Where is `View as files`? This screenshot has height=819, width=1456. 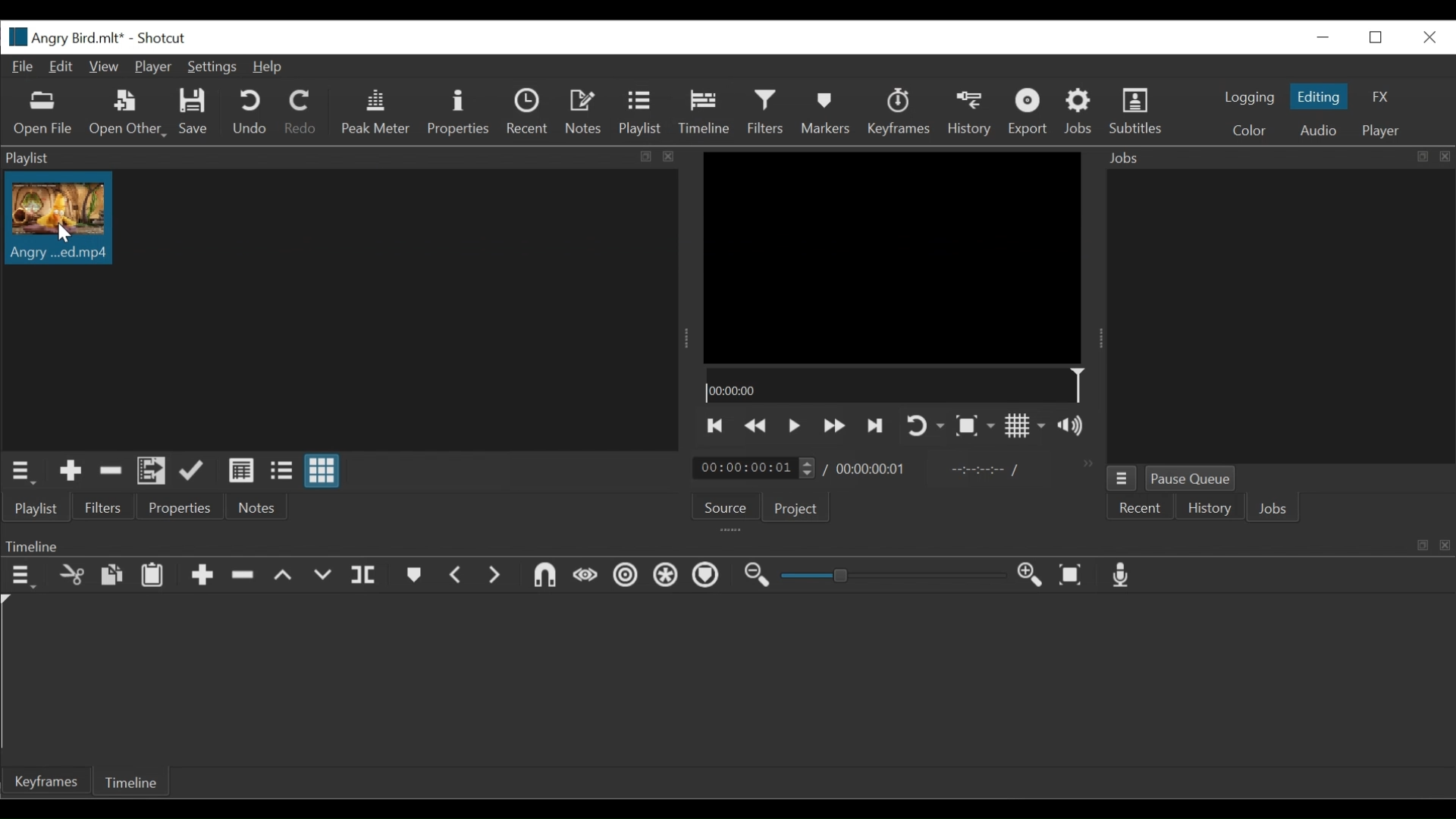 View as files is located at coordinates (284, 472).